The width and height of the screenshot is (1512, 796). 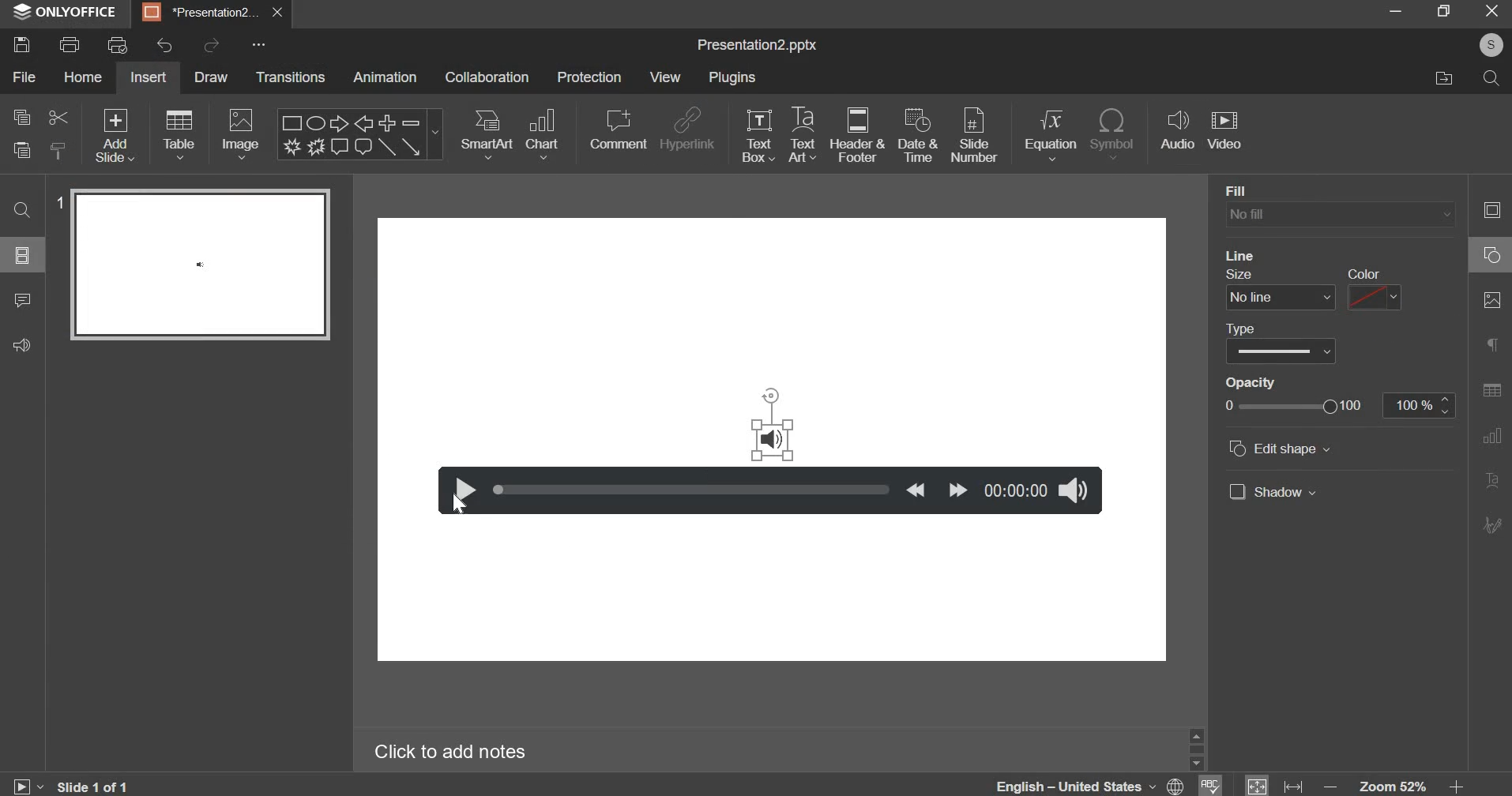 What do you see at coordinates (1256, 784) in the screenshot?
I see `fit to slide` at bounding box center [1256, 784].